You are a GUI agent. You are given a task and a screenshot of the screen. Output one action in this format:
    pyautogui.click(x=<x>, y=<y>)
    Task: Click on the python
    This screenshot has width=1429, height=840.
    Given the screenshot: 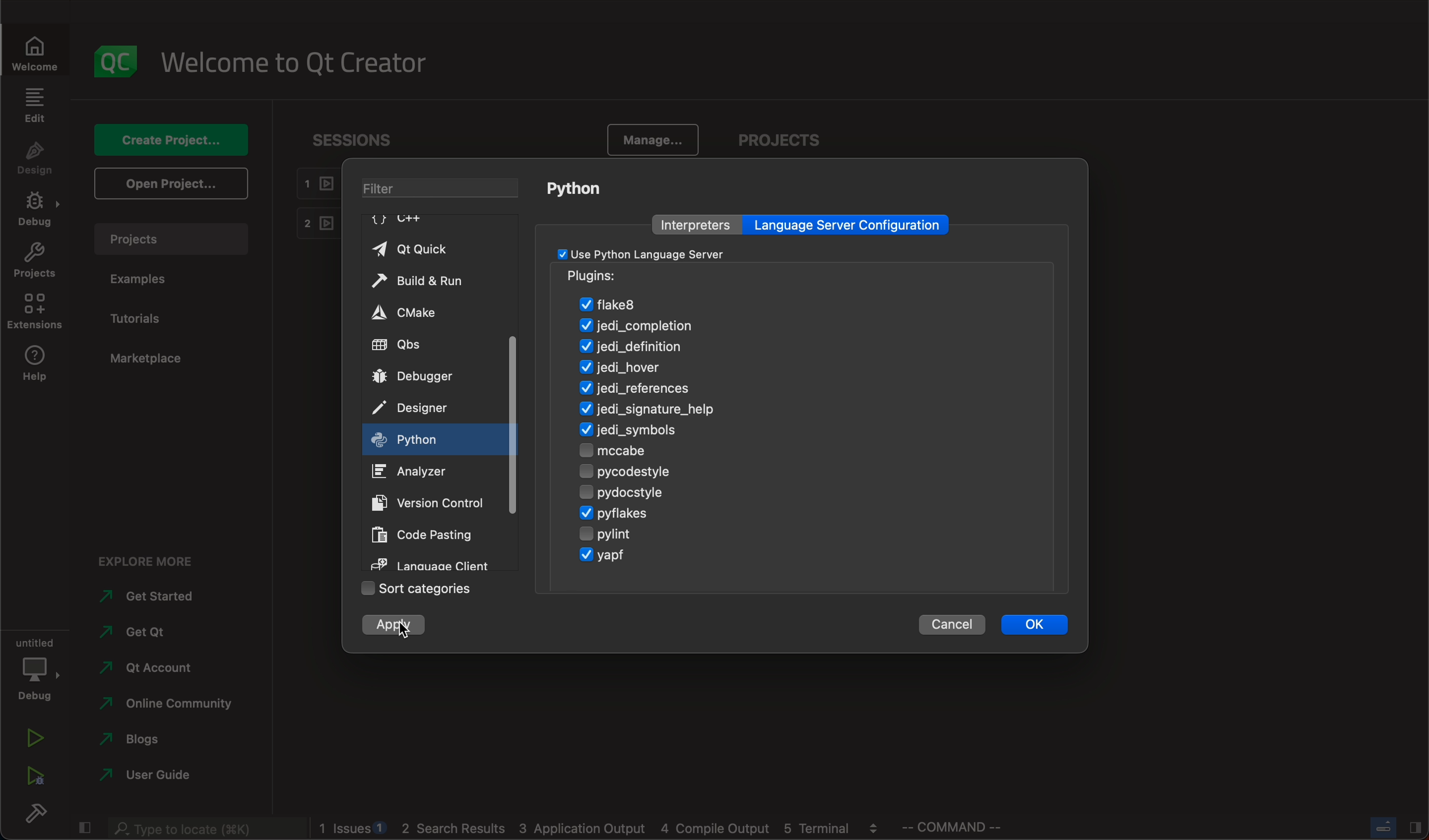 What is the action you would take?
    pyautogui.click(x=576, y=190)
    